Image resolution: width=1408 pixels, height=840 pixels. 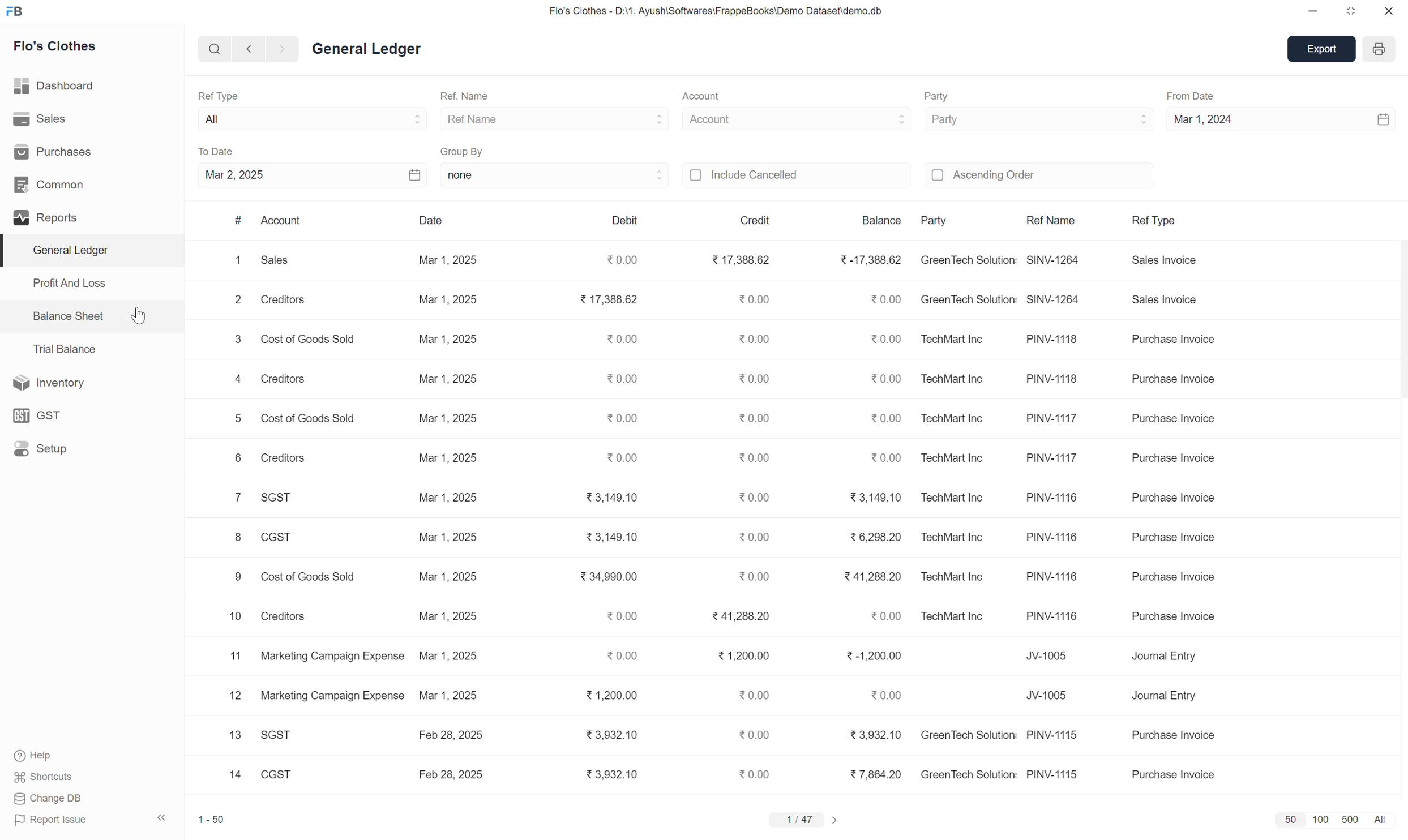 What do you see at coordinates (620, 219) in the screenshot?
I see `Debit` at bounding box center [620, 219].